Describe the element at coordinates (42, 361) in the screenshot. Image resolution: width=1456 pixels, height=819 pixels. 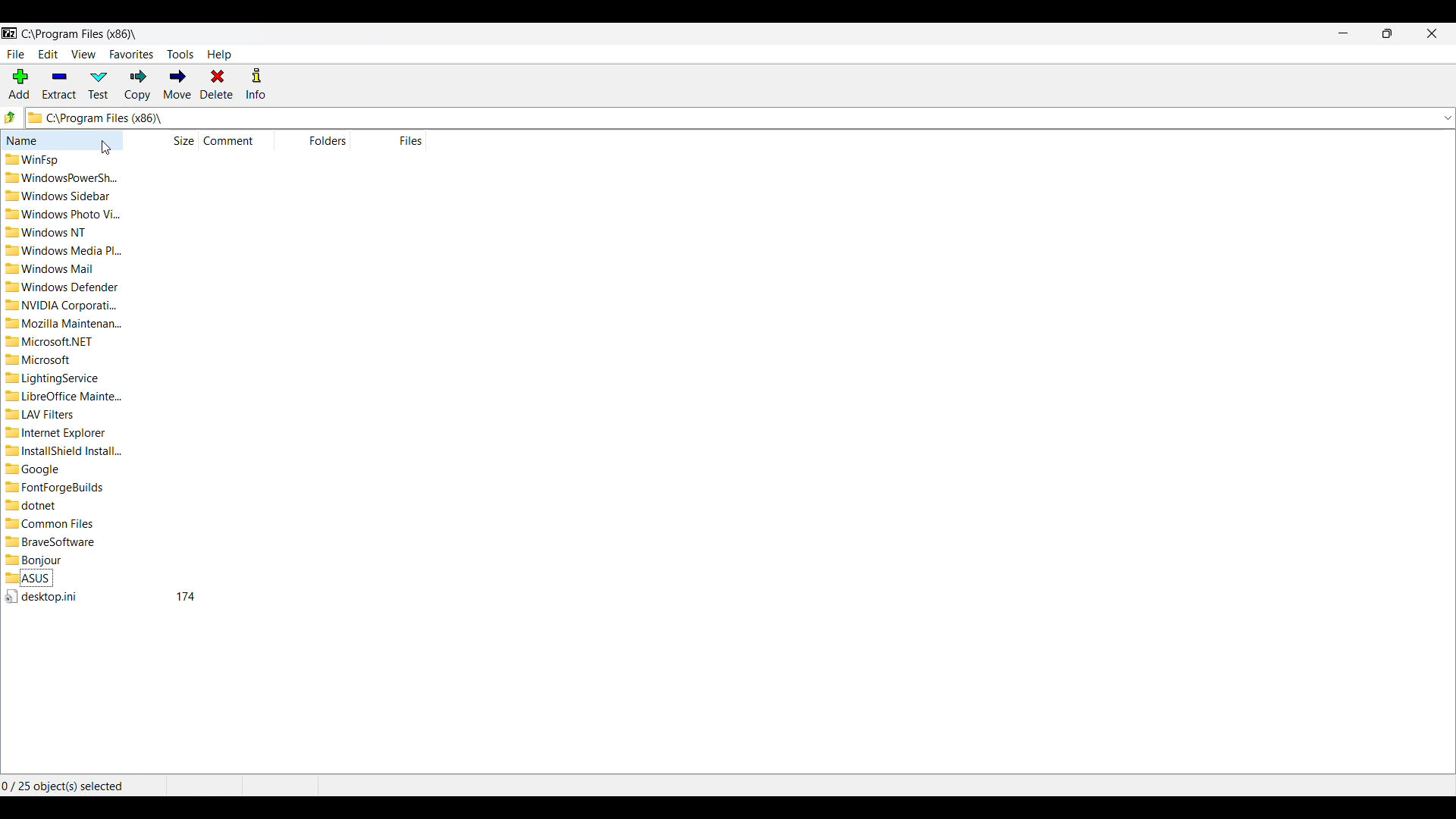
I see `Microsoft` at that location.